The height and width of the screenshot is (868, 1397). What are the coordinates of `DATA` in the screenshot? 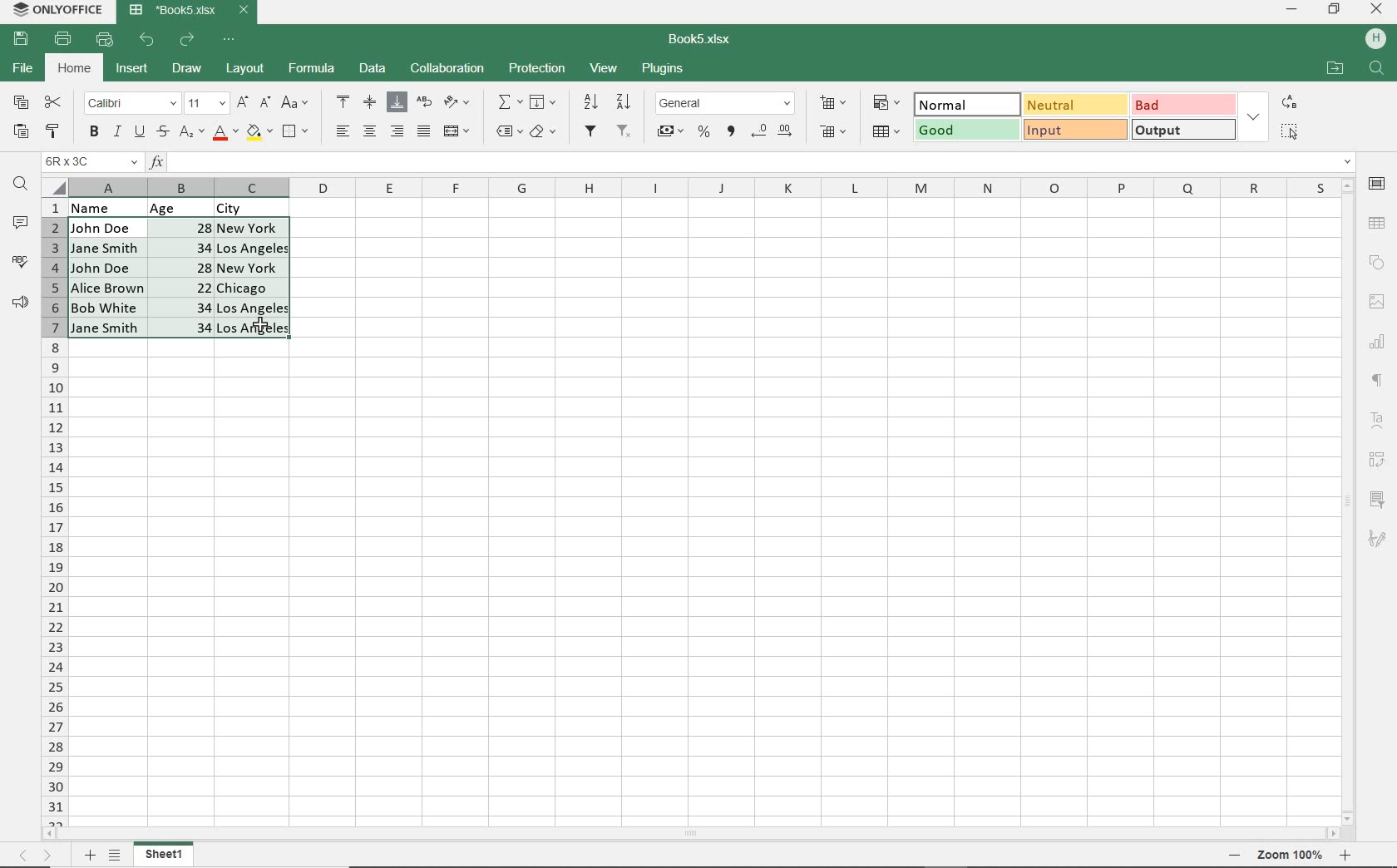 It's located at (192, 206).